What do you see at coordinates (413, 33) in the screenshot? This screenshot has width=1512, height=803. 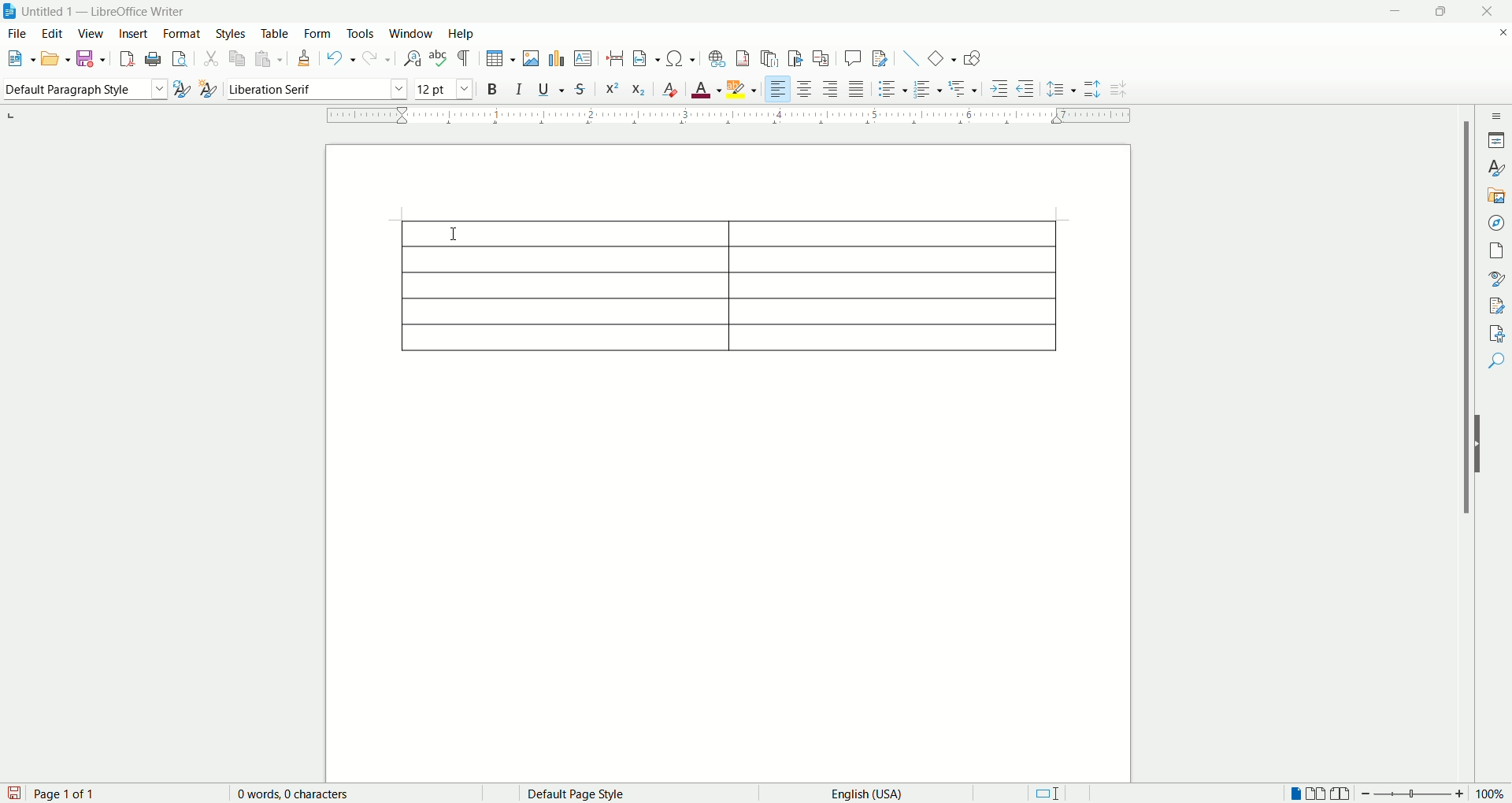 I see `window` at bounding box center [413, 33].